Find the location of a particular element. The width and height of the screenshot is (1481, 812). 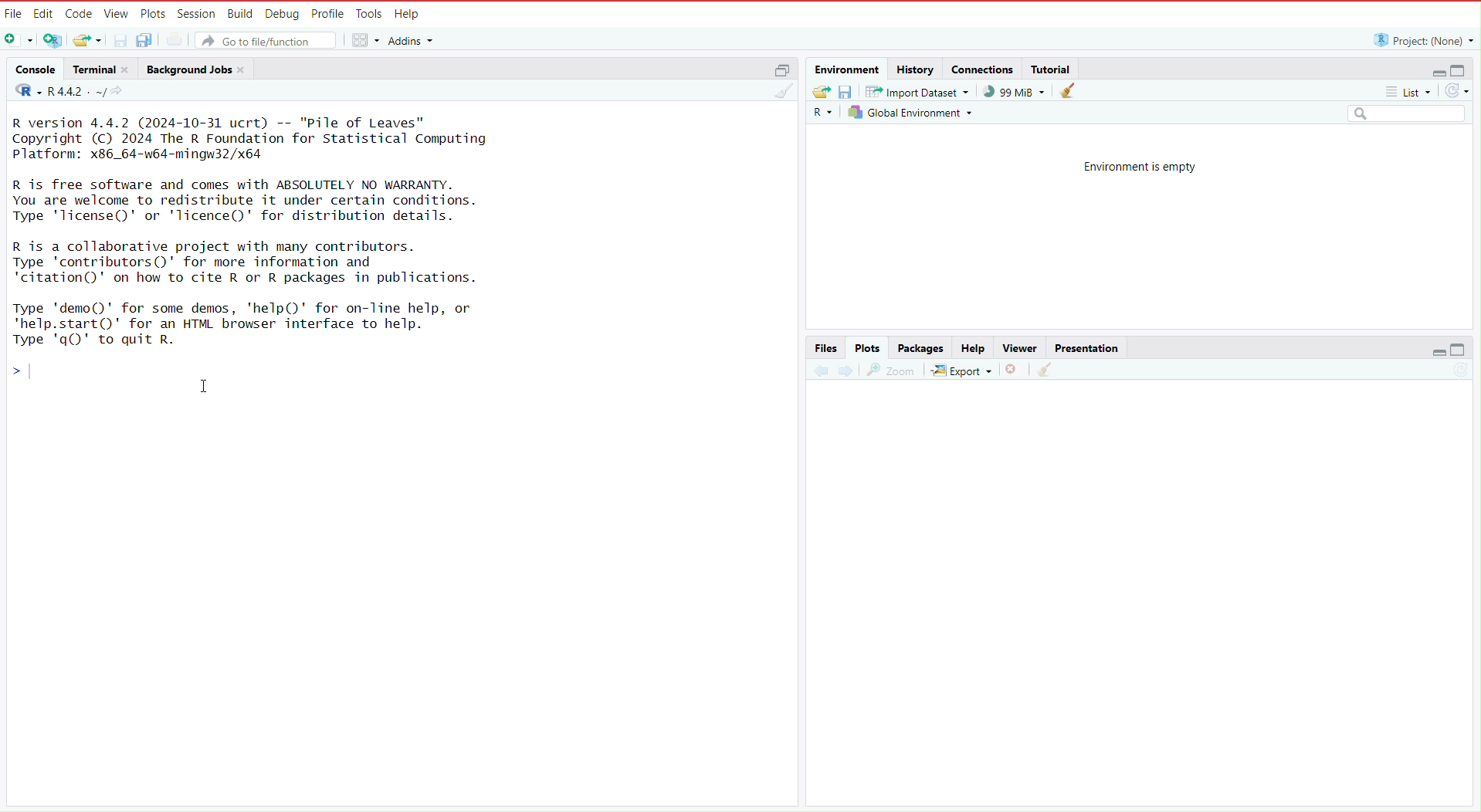

build is located at coordinates (239, 12).